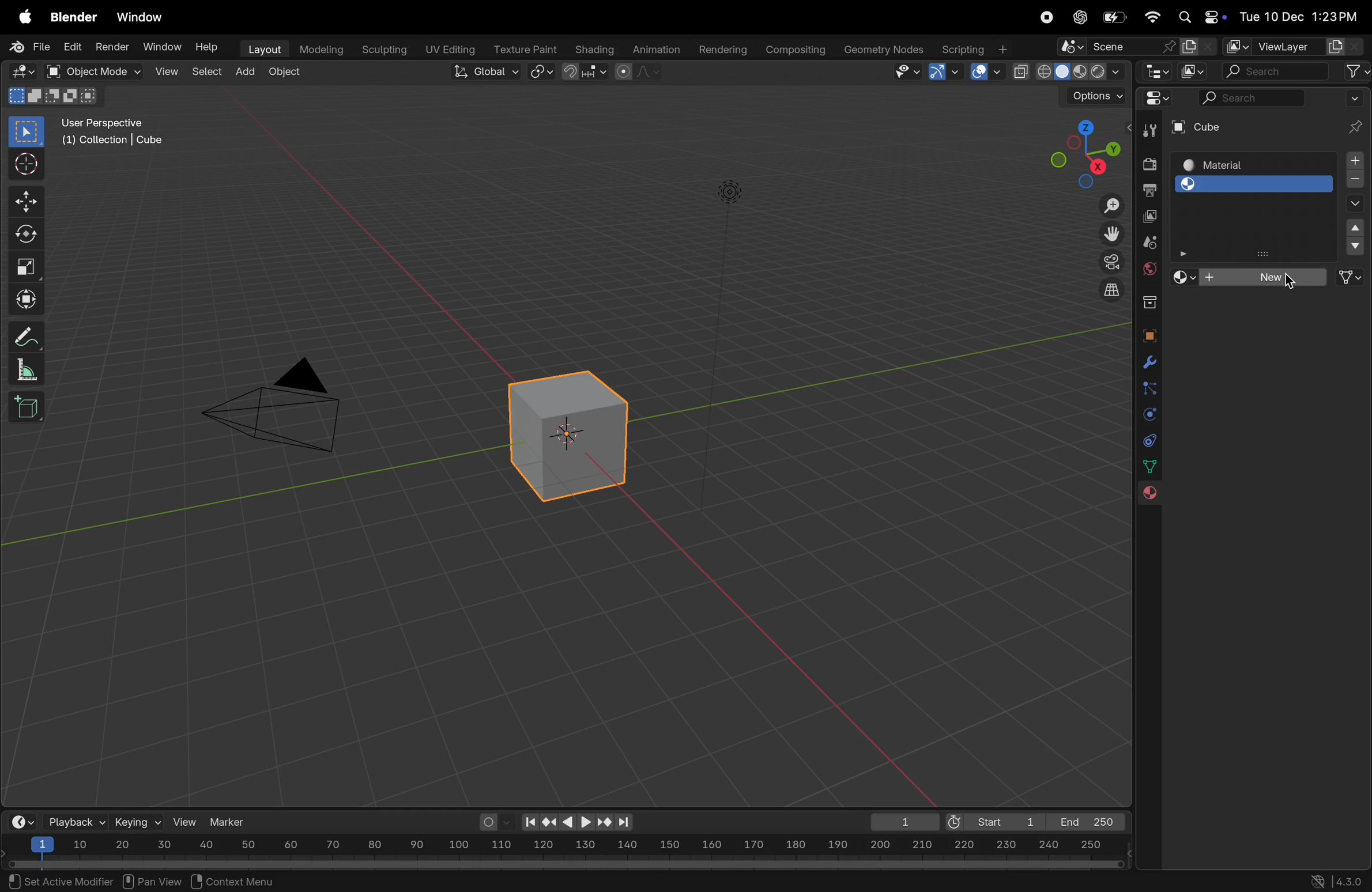  I want to click on constarints, so click(1149, 443).